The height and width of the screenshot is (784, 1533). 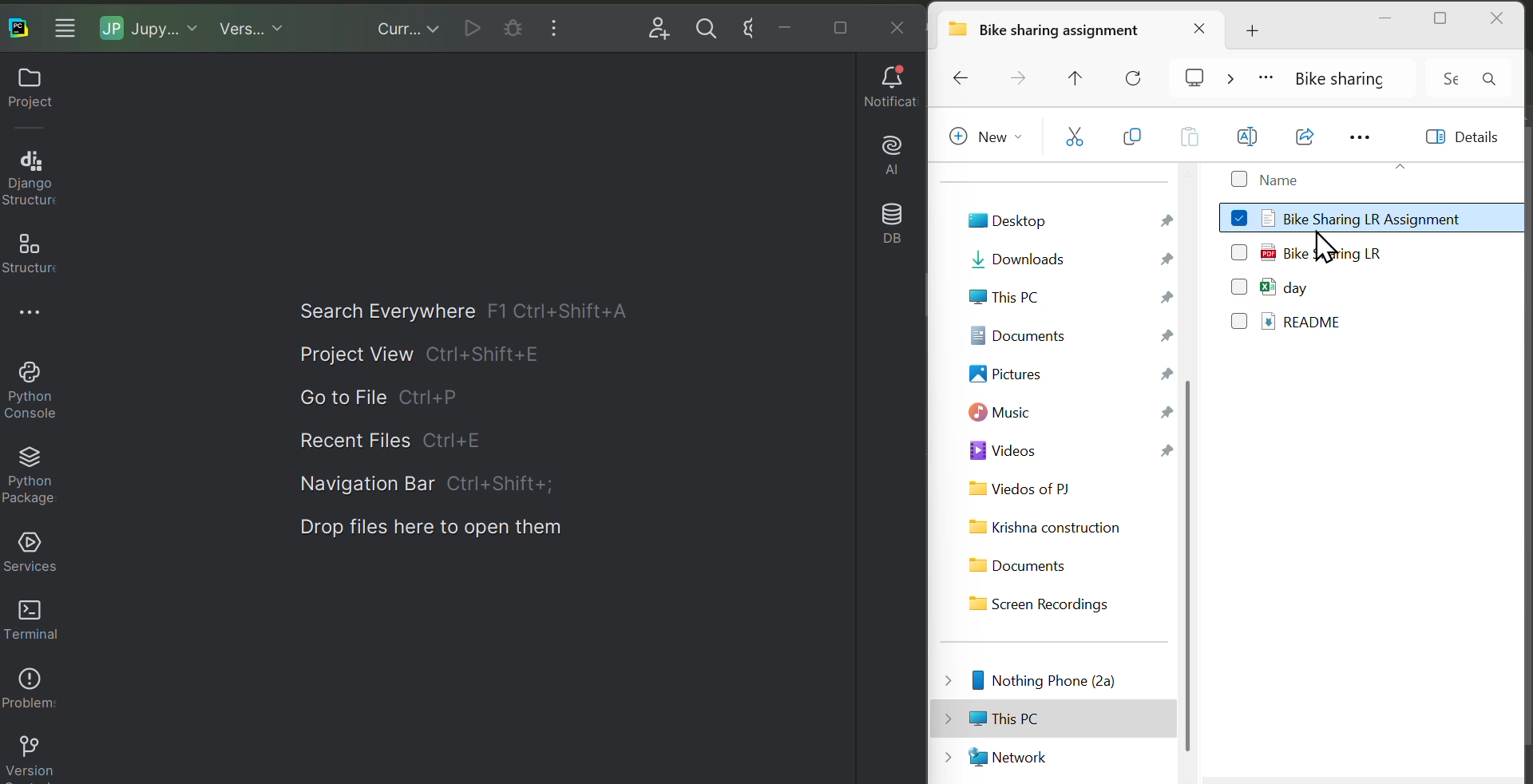 I want to click on Videos, so click(x=1068, y=451).